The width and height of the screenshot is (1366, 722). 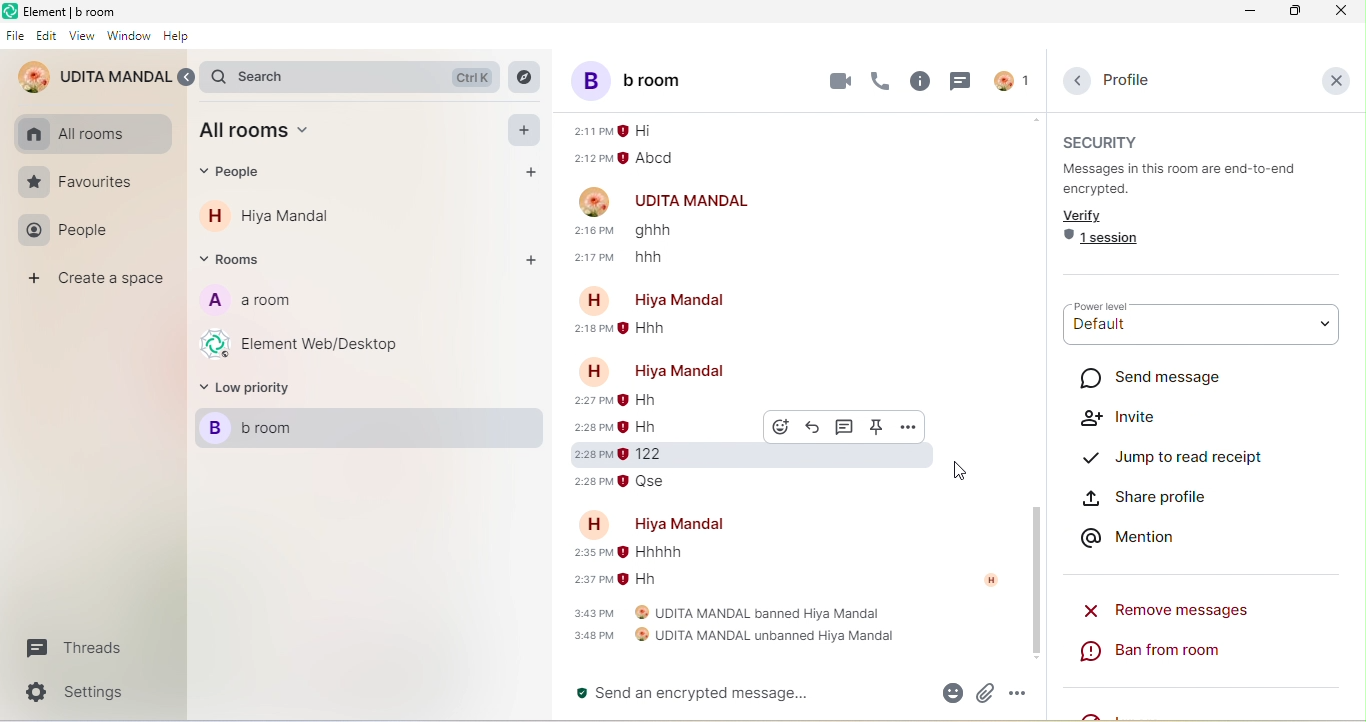 What do you see at coordinates (85, 692) in the screenshot?
I see `settings` at bounding box center [85, 692].